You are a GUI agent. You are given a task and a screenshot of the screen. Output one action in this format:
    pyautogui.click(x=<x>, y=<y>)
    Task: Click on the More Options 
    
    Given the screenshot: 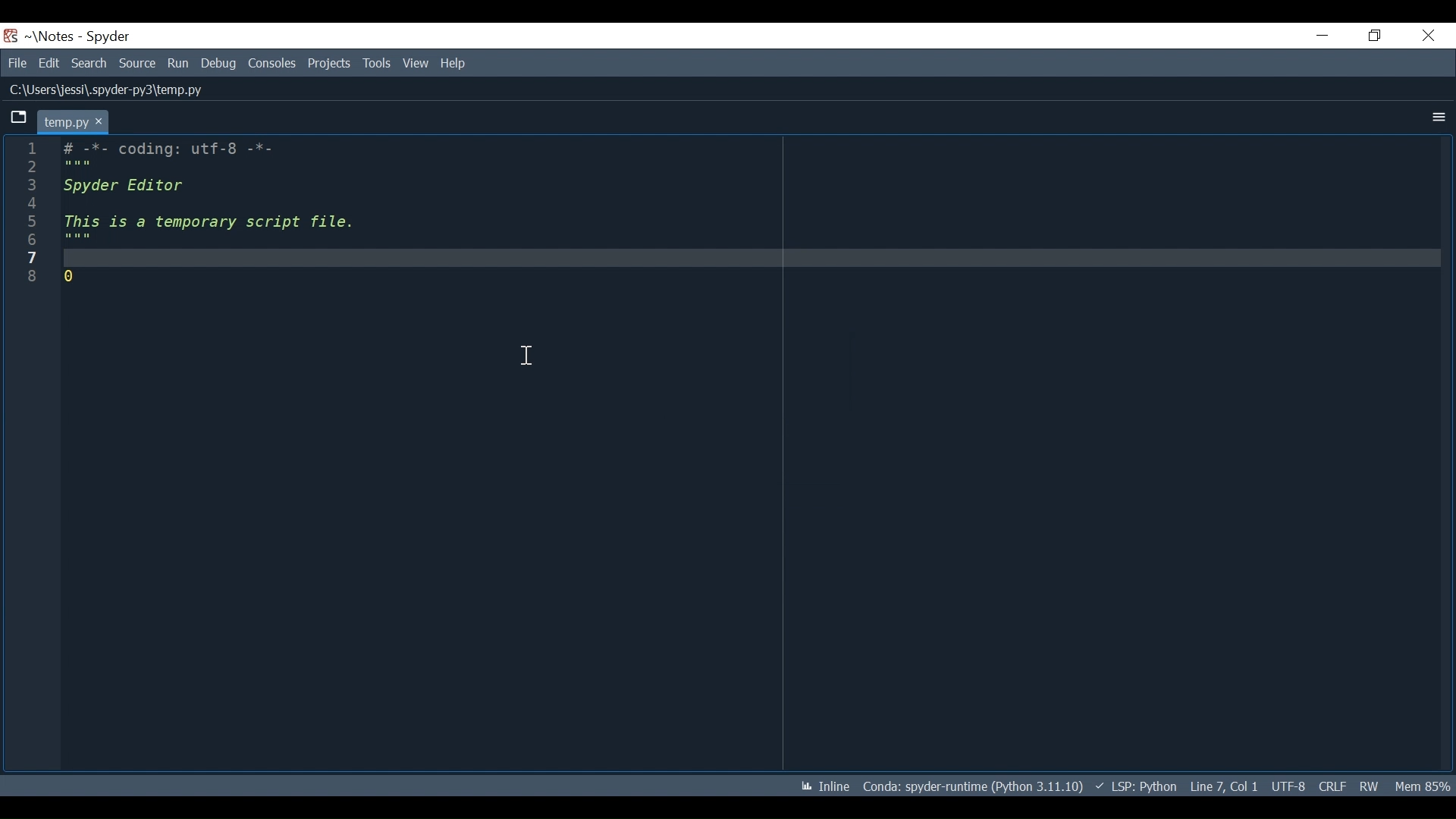 What is the action you would take?
    pyautogui.click(x=1441, y=118)
    